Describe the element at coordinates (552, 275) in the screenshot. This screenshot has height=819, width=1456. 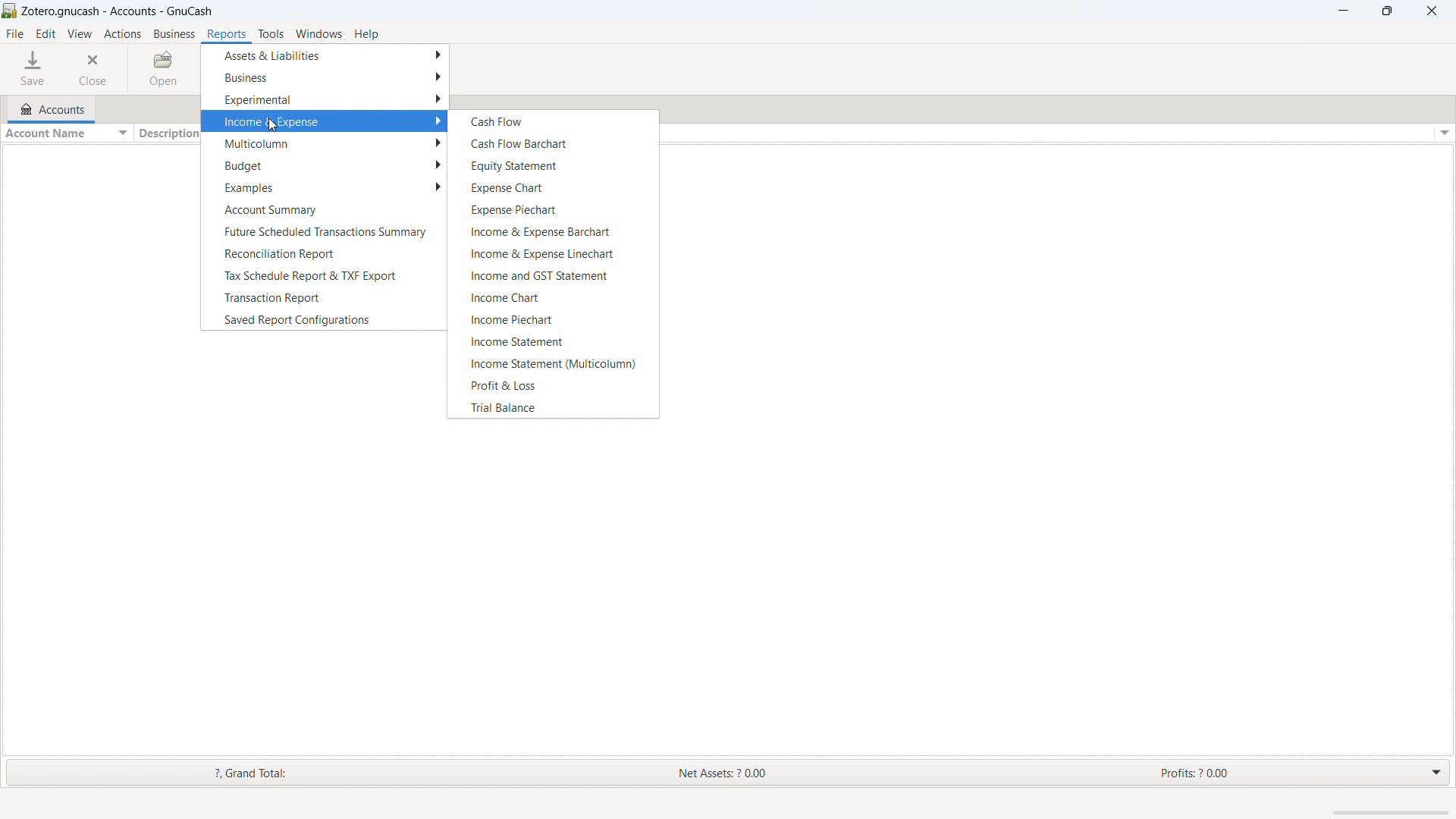
I see `income & GST statement` at that location.